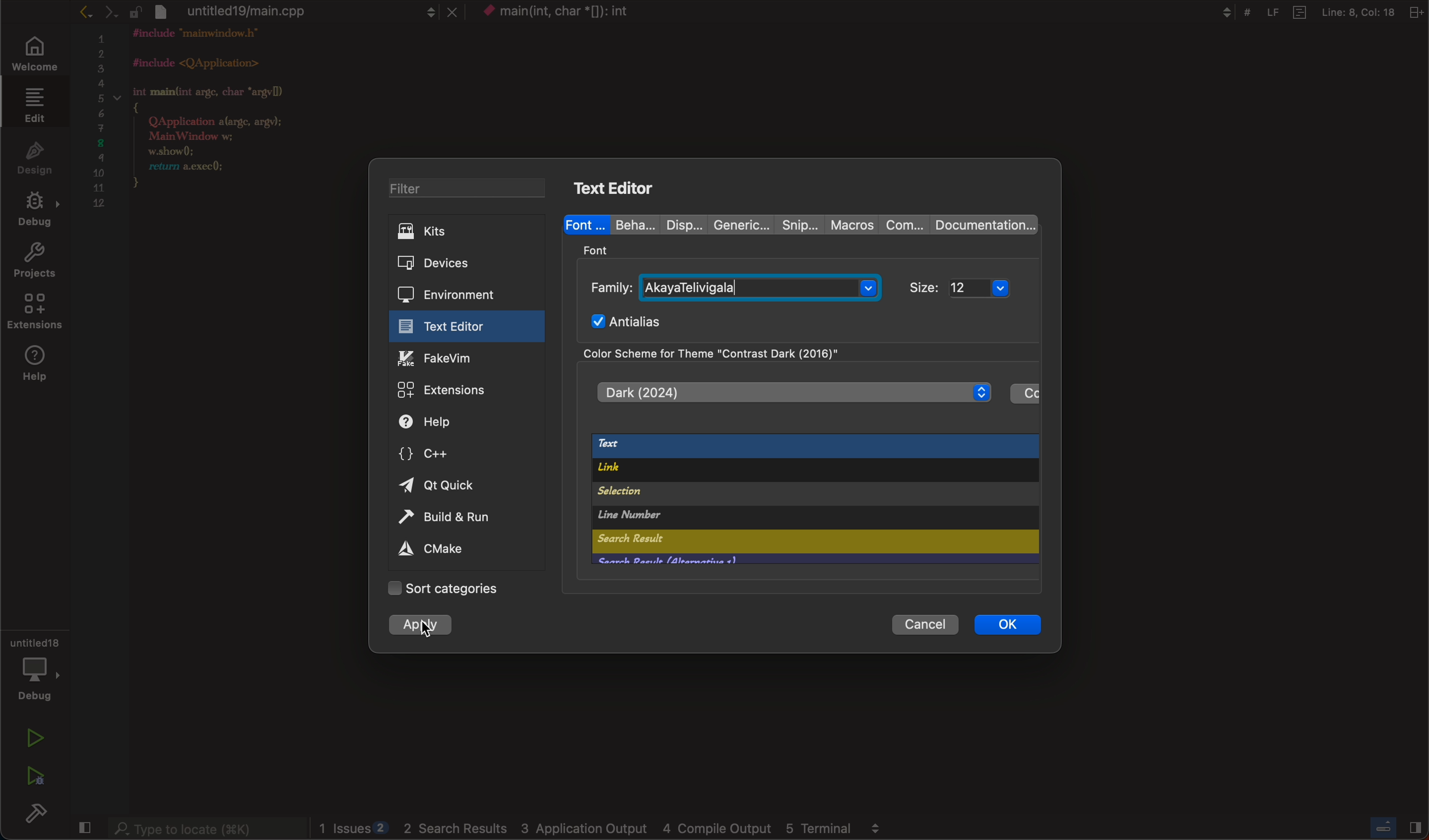  What do you see at coordinates (599, 249) in the screenshot?
I see `font` at bounding box center [599, 249].